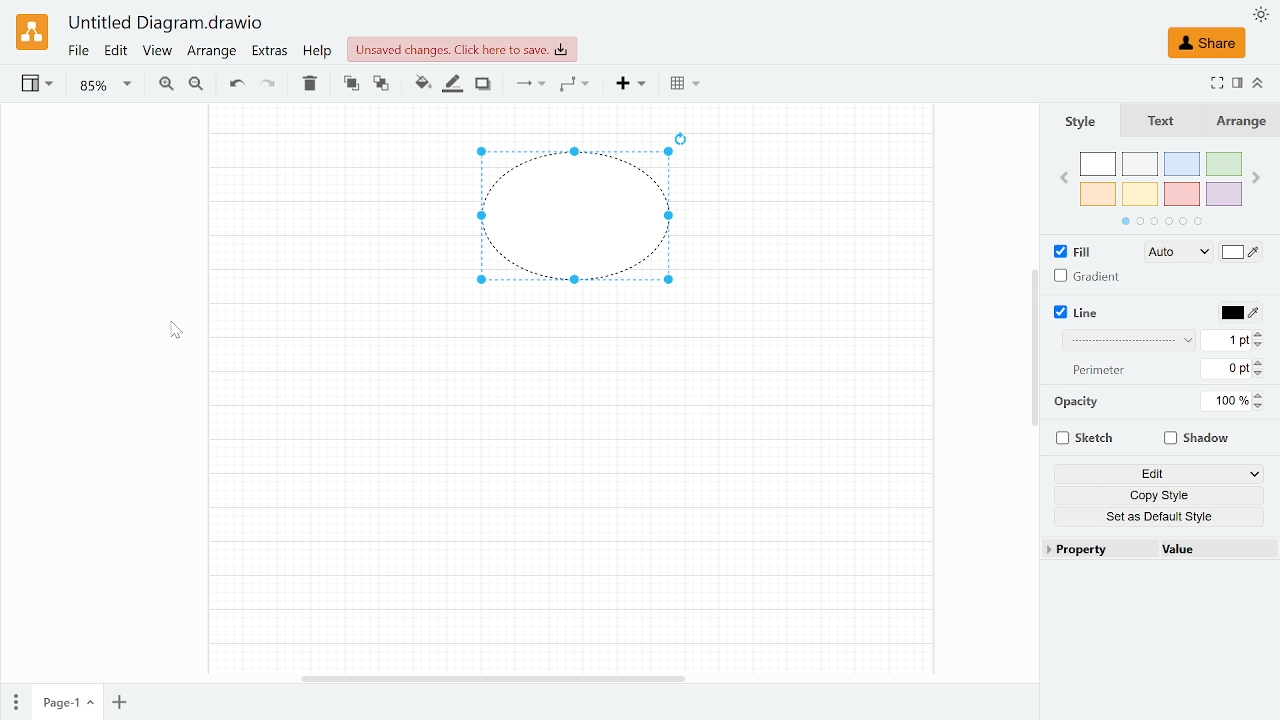 Image resolution: width=1280 pixels, height=720 pixels. What do you see at coordinates (1263, 374) in the screenshot?
I see `Decrease perimeter` at bounding box center [1263, 374].